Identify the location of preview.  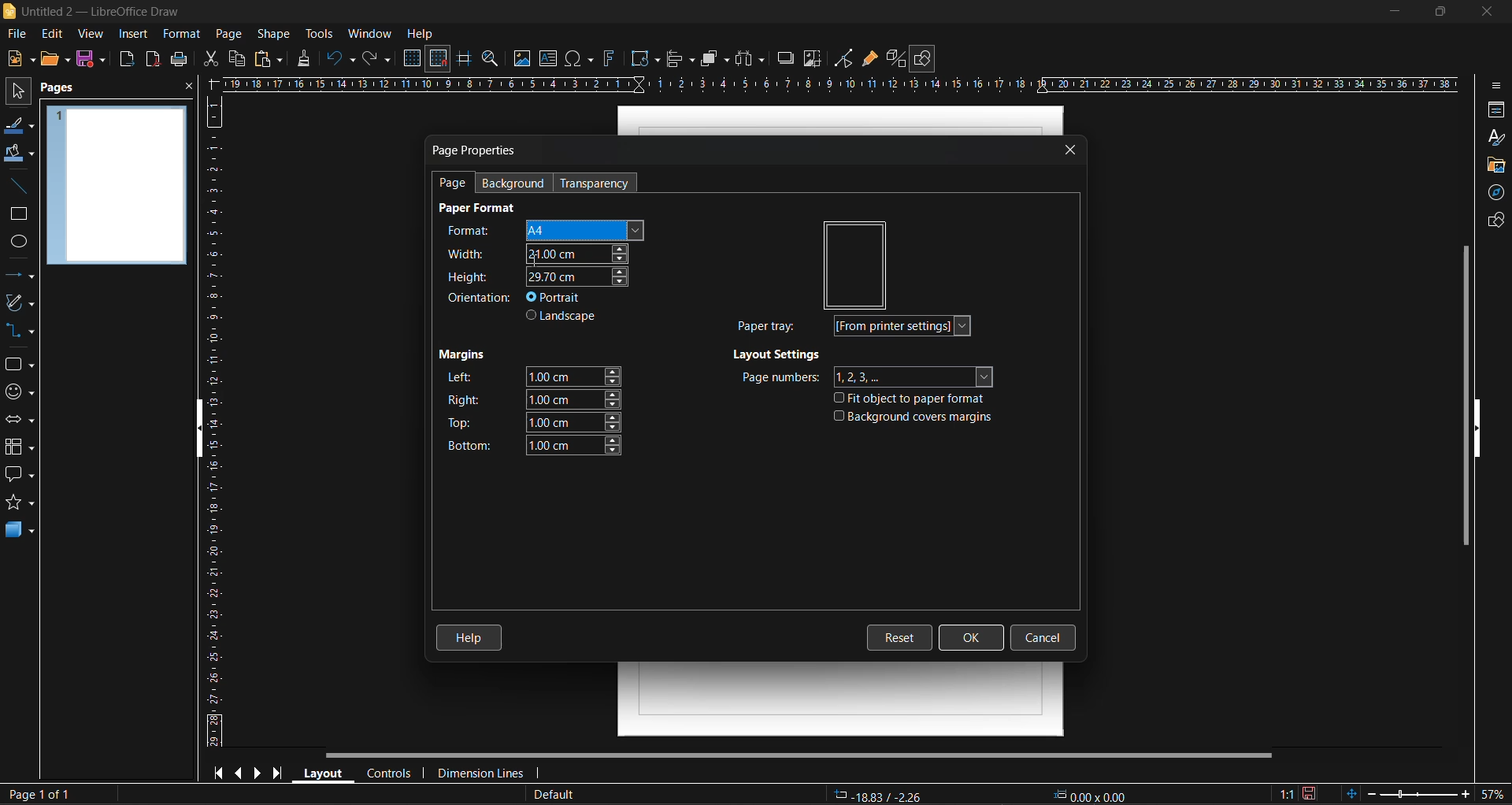
(857, 263).